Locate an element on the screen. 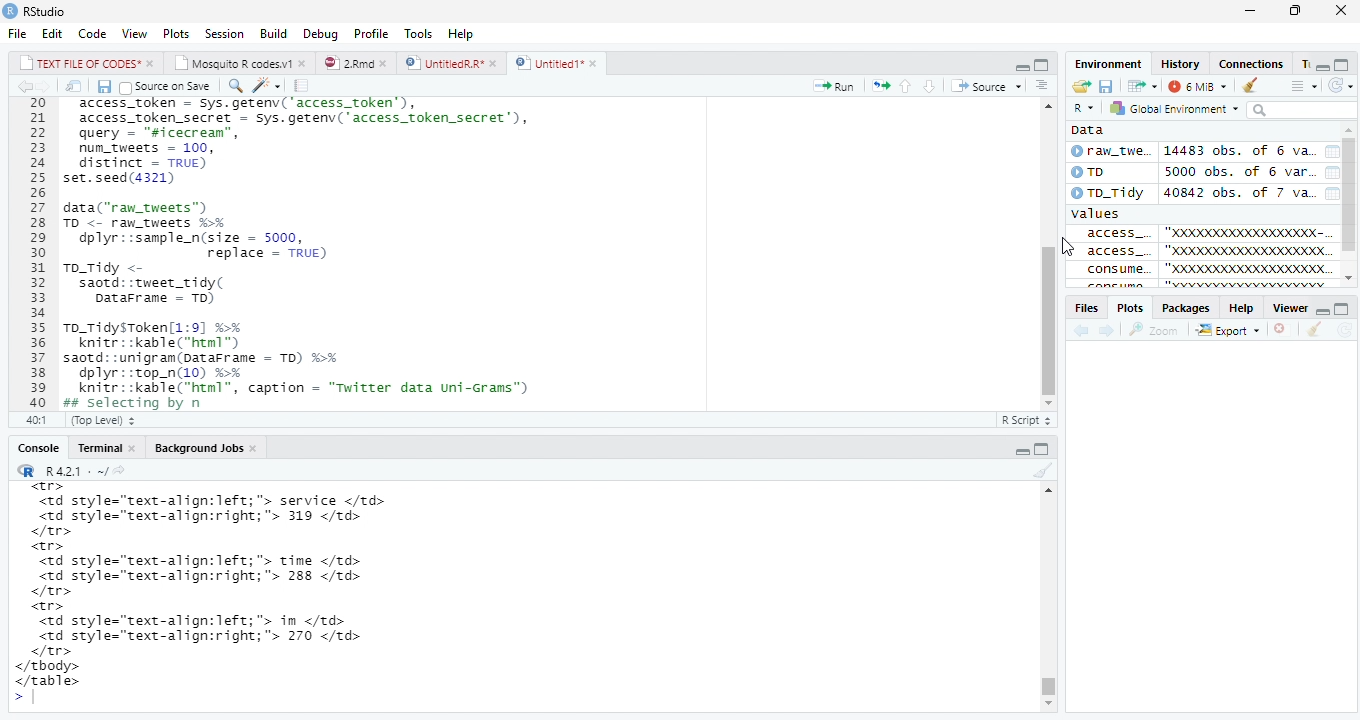 The height and width of the screenshot is (720, 1360). forward/backward source location is located at coordinates (1093, 329).